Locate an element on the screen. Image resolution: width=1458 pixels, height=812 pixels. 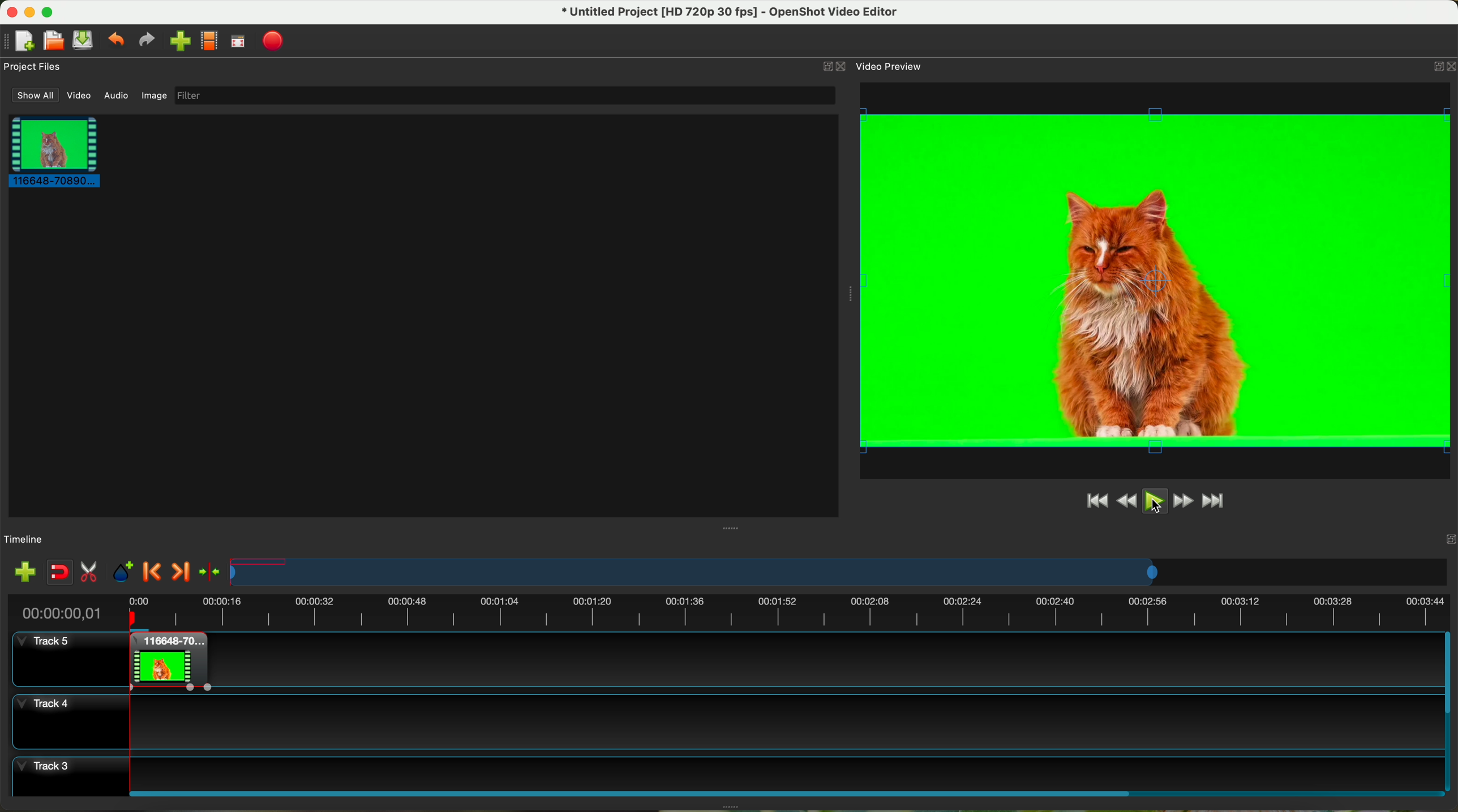
file name is located at coordinates (731, 12).